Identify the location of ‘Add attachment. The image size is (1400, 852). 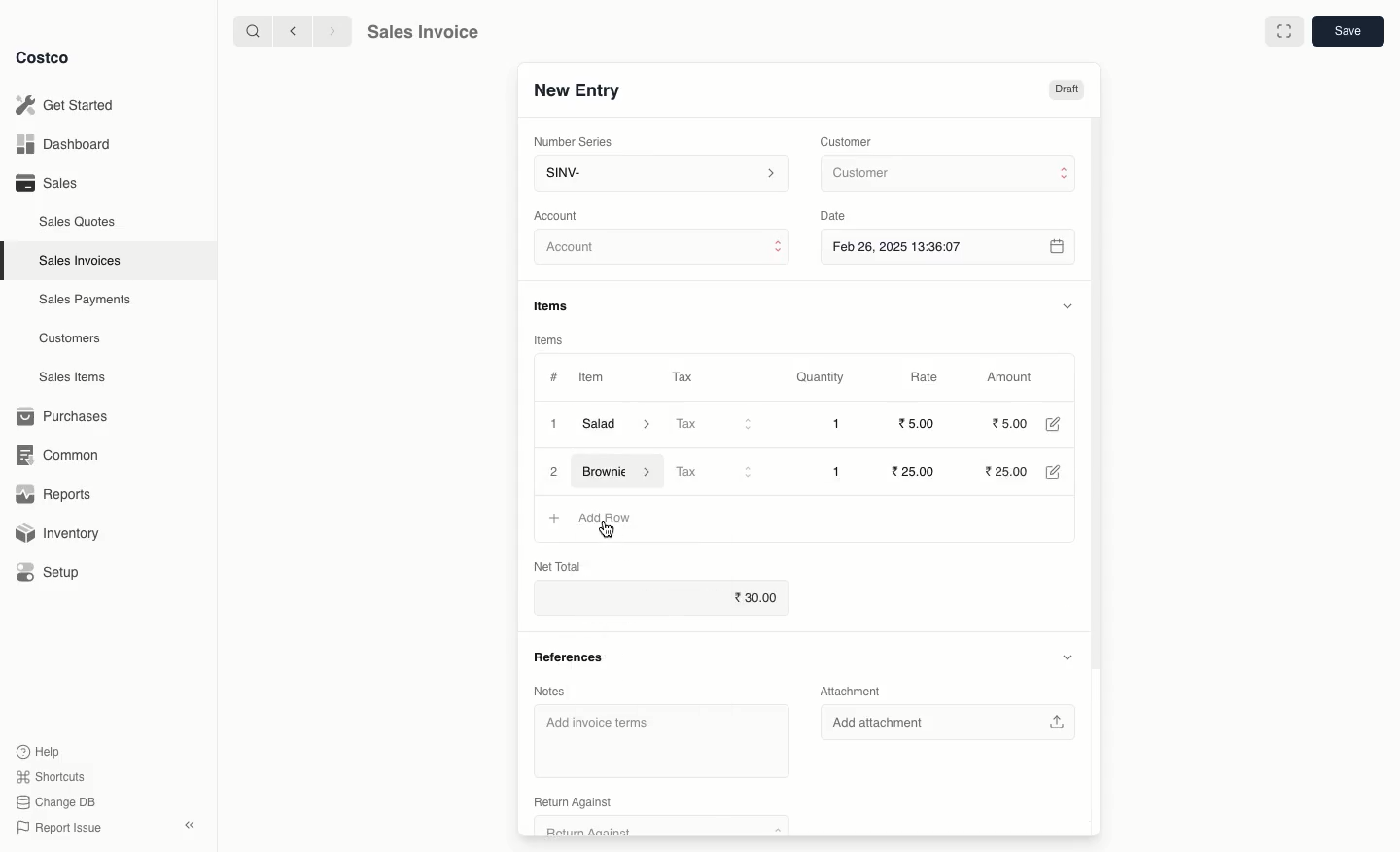
(945, 722).